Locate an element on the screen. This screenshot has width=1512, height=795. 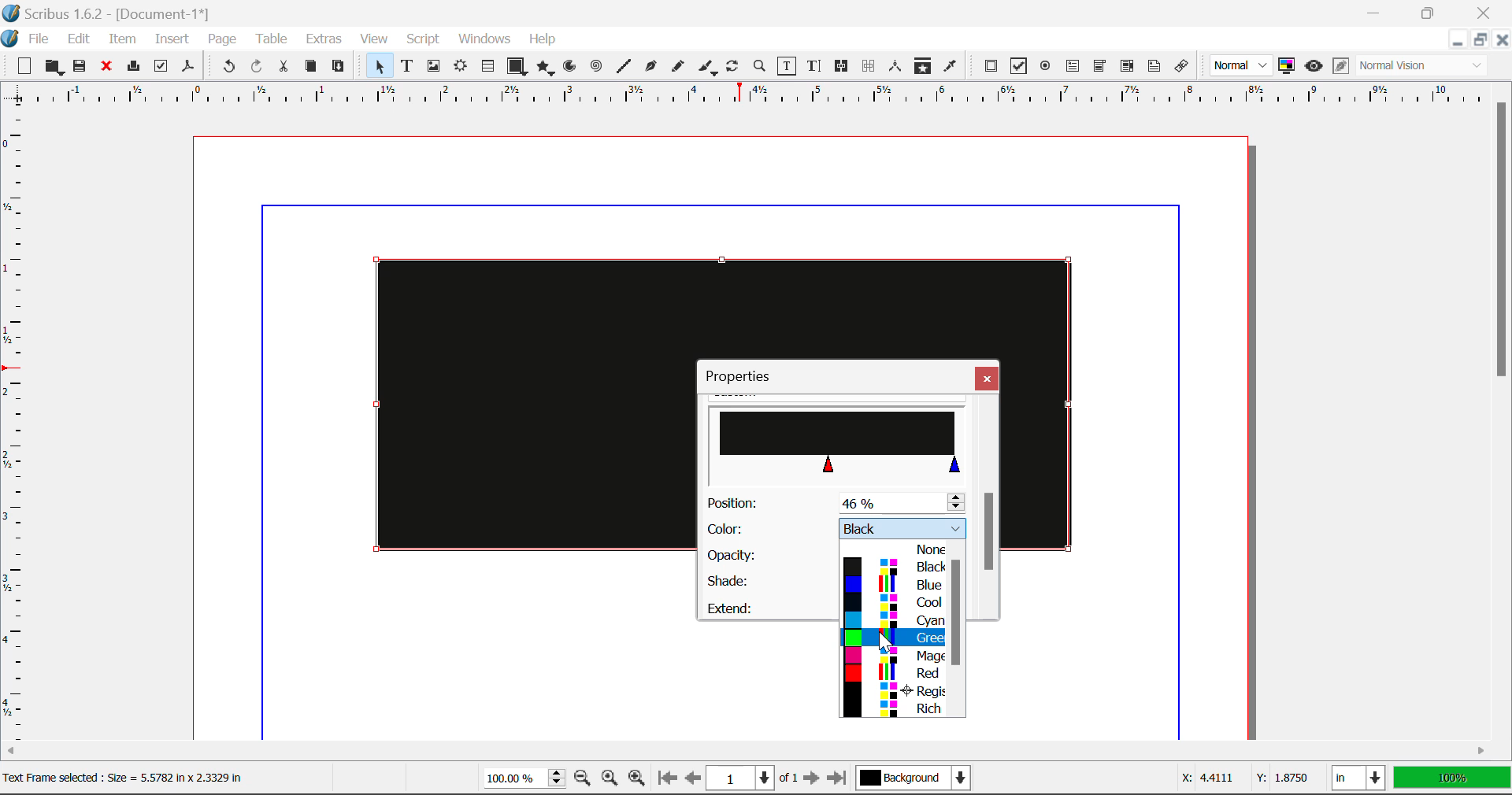
PDF Checkbox is located at coordinates (1017, 66).